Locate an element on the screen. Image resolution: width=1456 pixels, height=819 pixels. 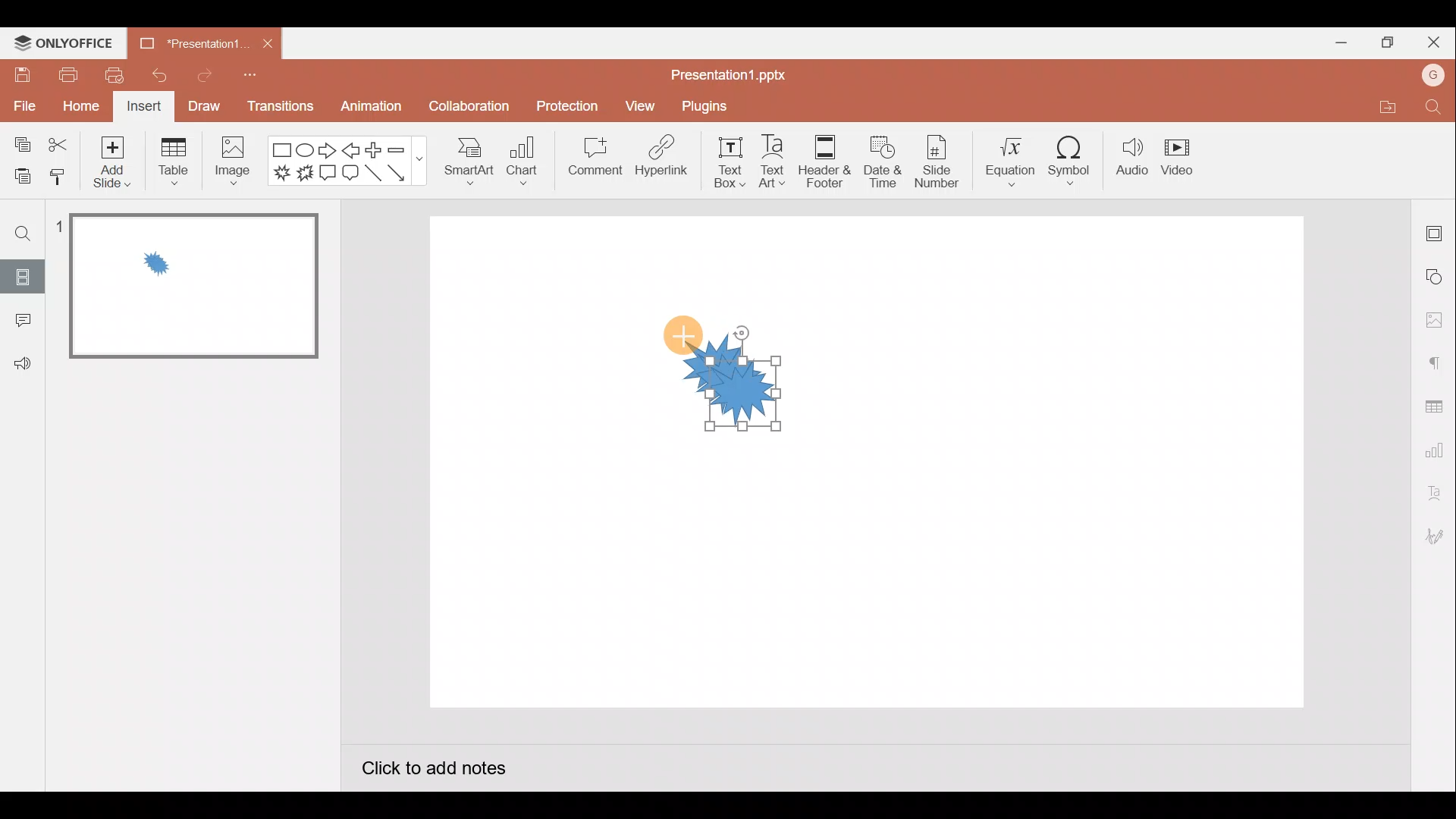
Presentation1. is located at coordinates (190, 41).